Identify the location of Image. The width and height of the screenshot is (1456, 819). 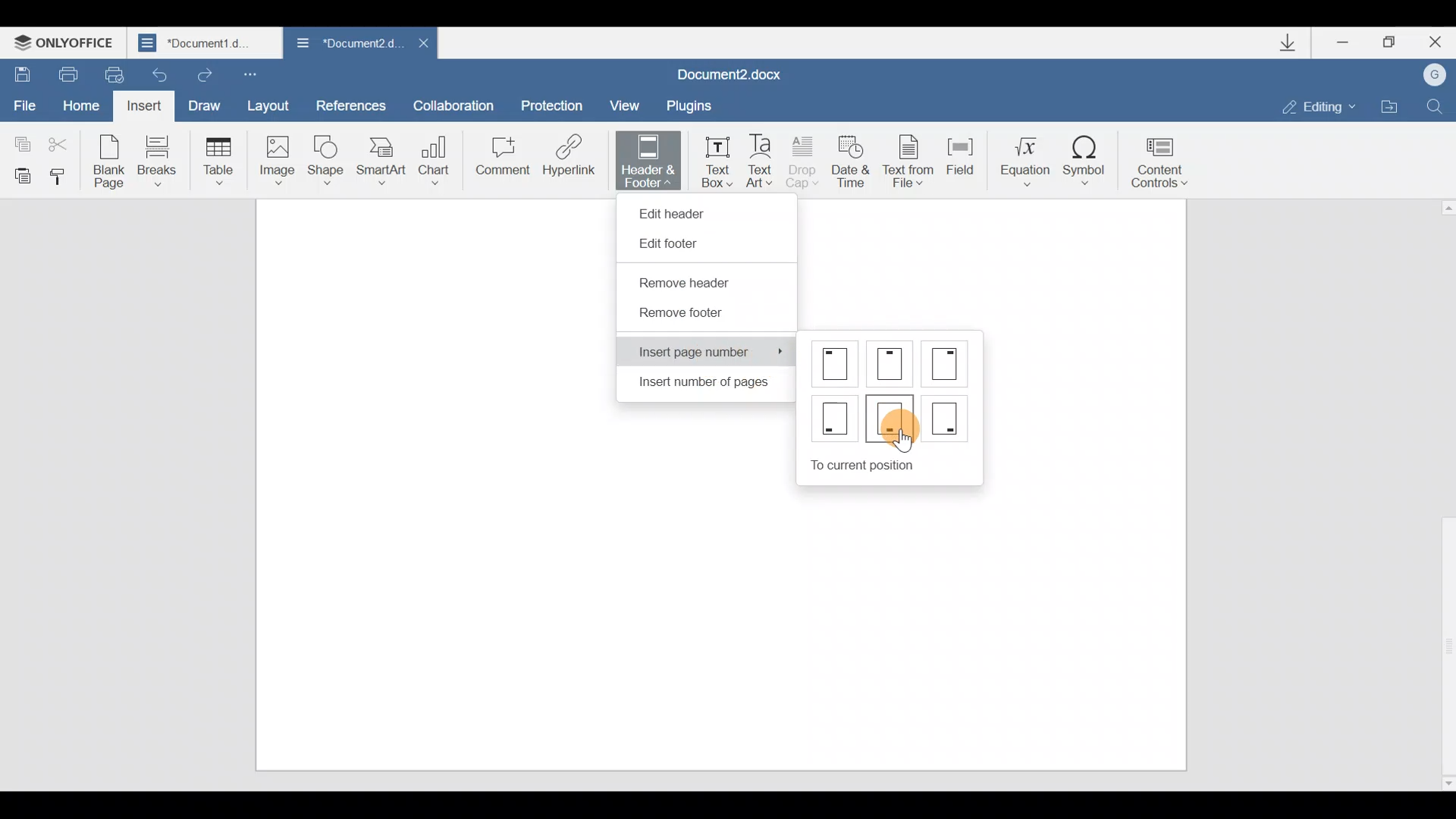
(277, 160).